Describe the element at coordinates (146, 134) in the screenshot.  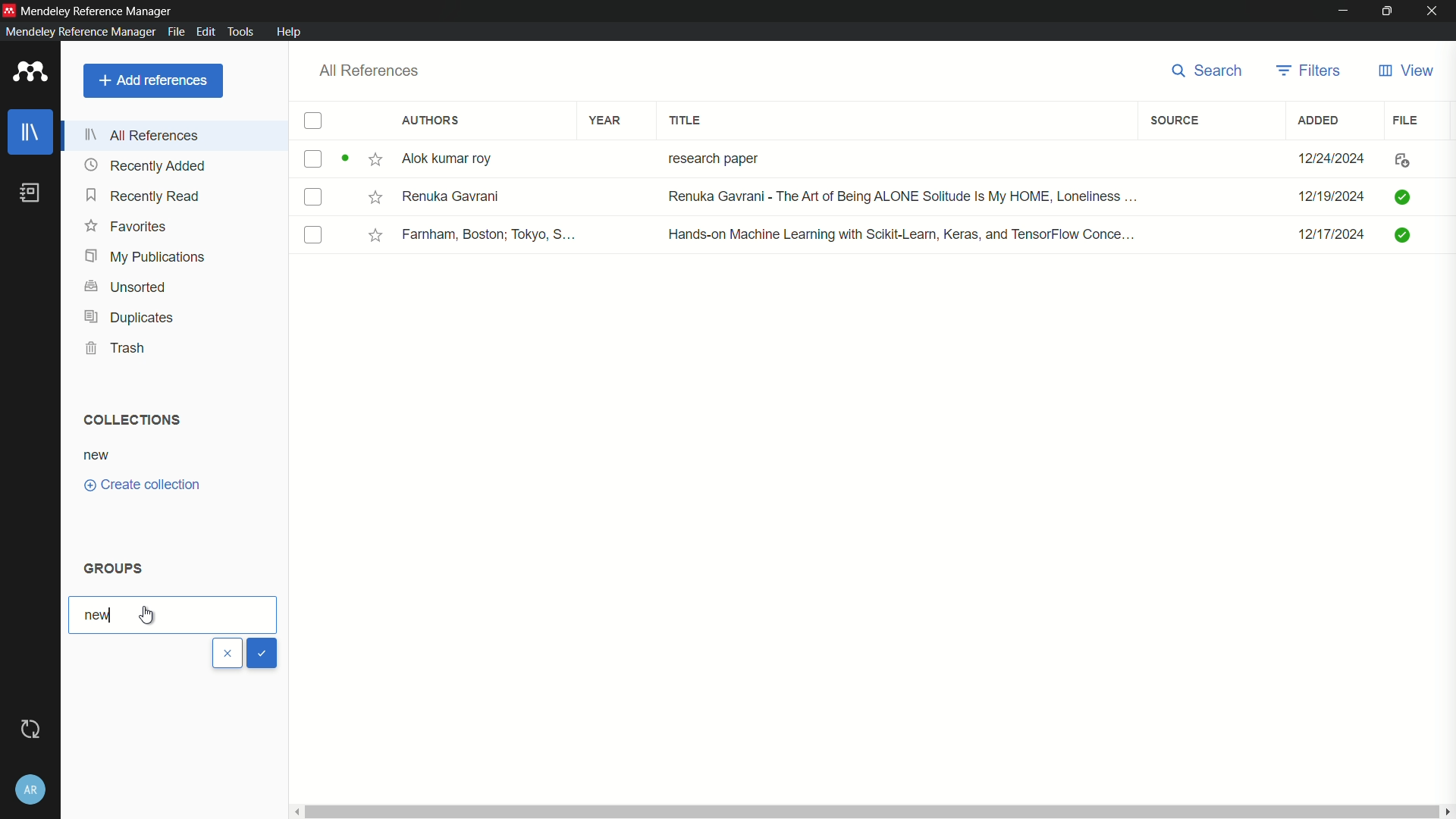
I see `all references` at that location.